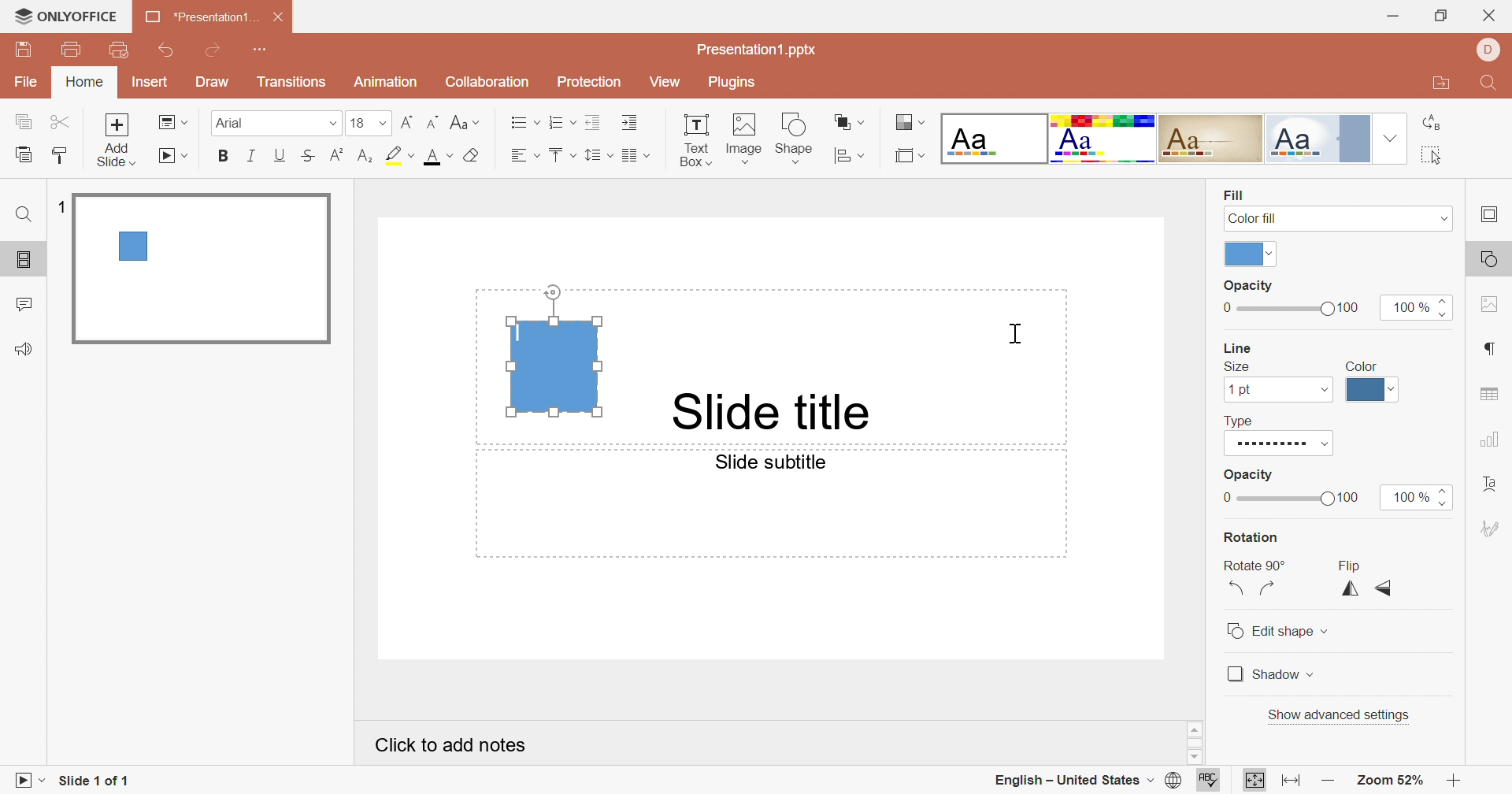 This screenshot has width=1512, height=794. What do you see at coordinates (598, 158) in the screenshot?
I see `Line spacing` at bounding box center [598, 158].